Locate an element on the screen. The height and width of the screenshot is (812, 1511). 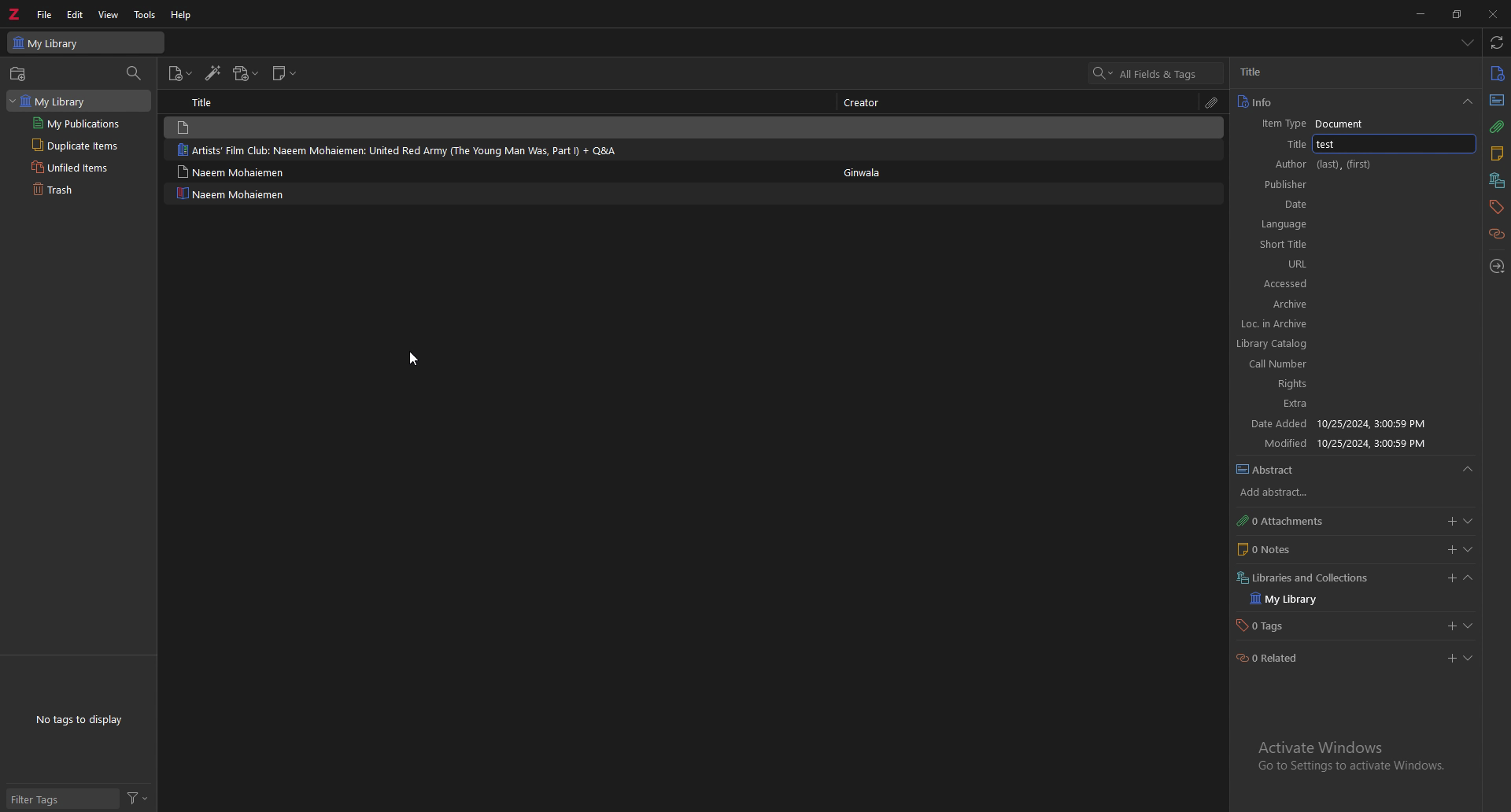
drop down is located at coordinates (1467, 42).